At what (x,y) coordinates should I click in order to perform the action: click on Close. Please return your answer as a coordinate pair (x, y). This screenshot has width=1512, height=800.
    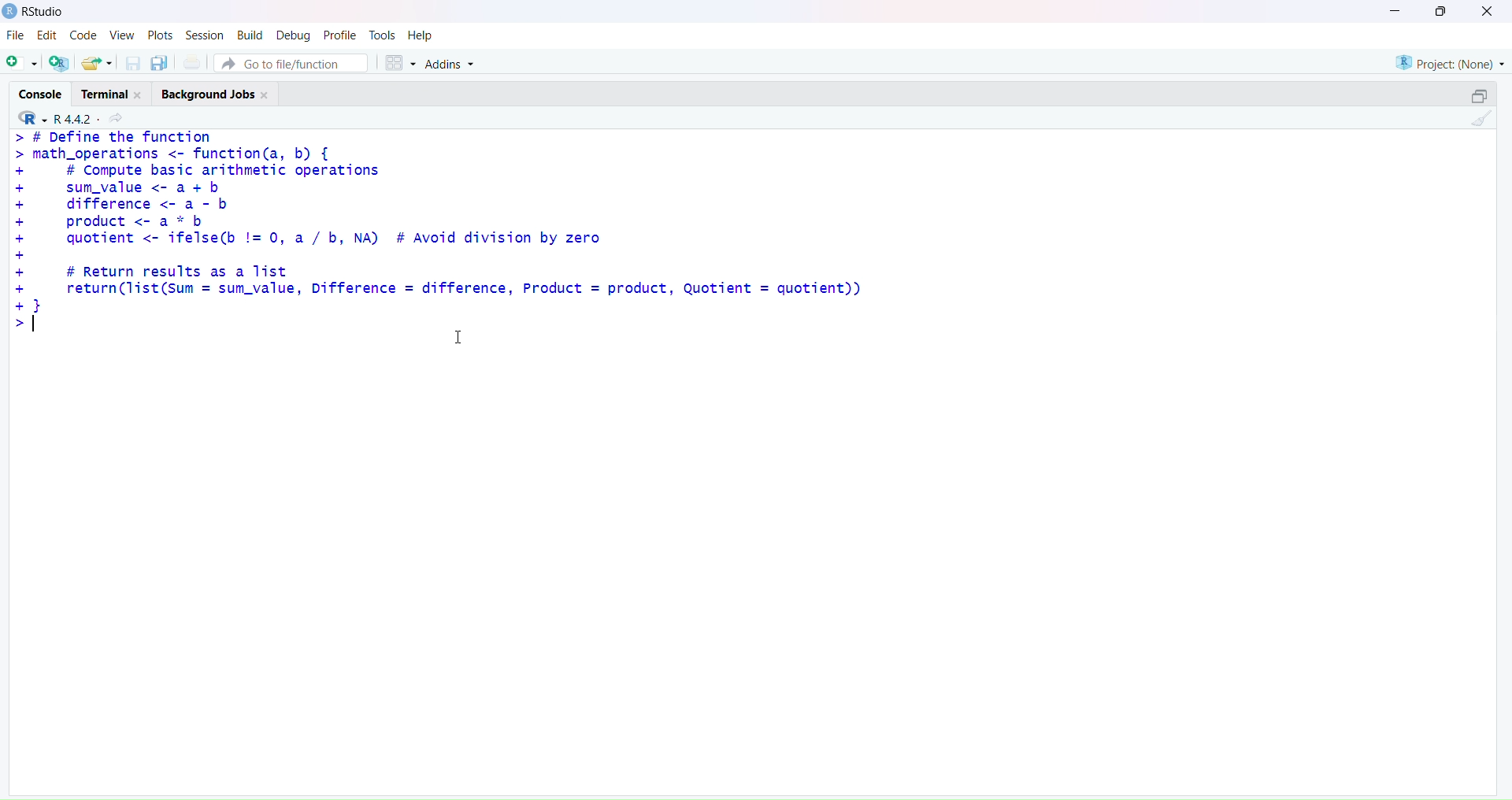
    Looking at the image, I should click on (1484, 12).